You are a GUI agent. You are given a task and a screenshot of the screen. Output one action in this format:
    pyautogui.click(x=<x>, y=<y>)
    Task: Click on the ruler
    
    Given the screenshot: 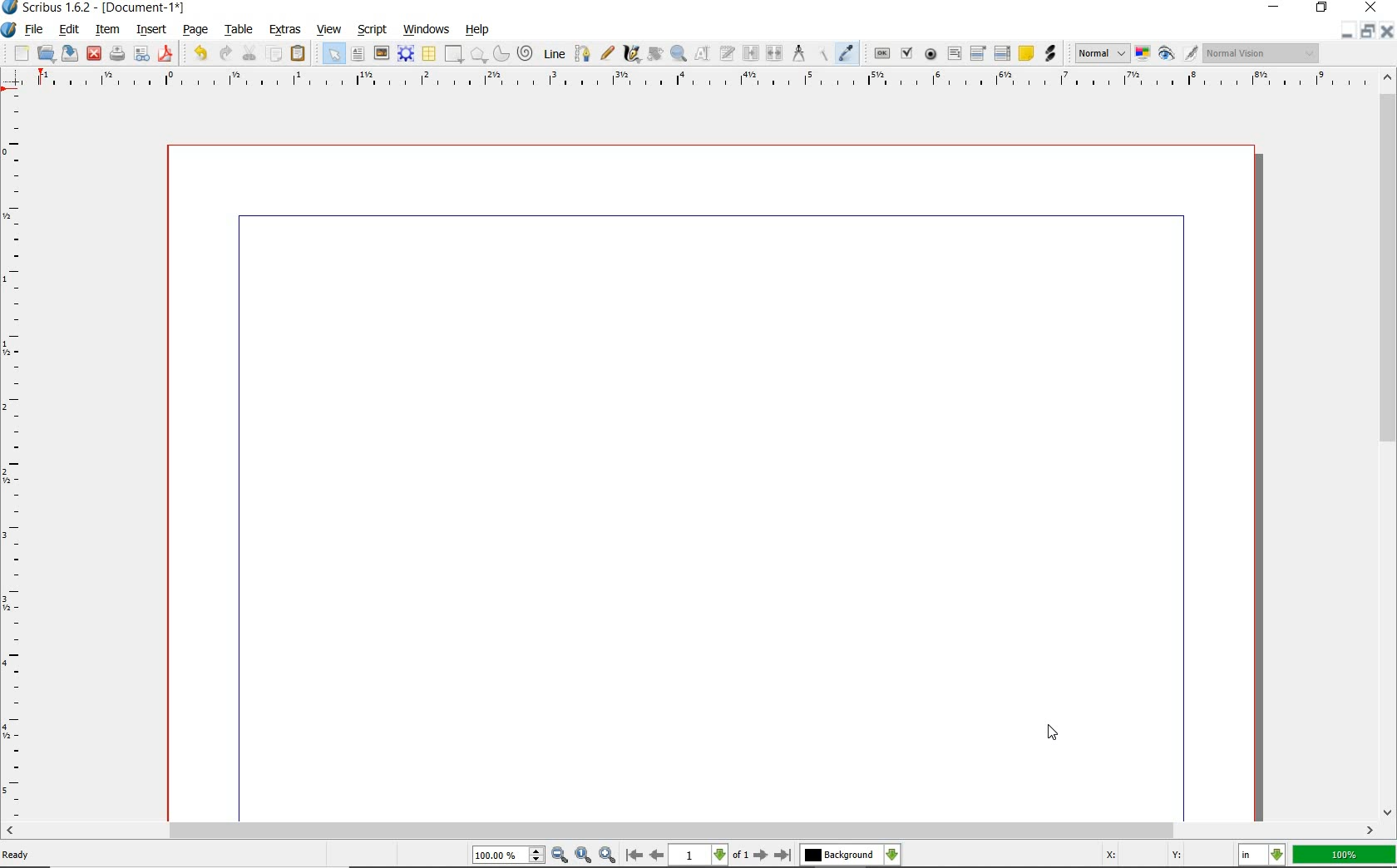 What is the action you would take?
    pyautogui.click(x=15, y=459)
    